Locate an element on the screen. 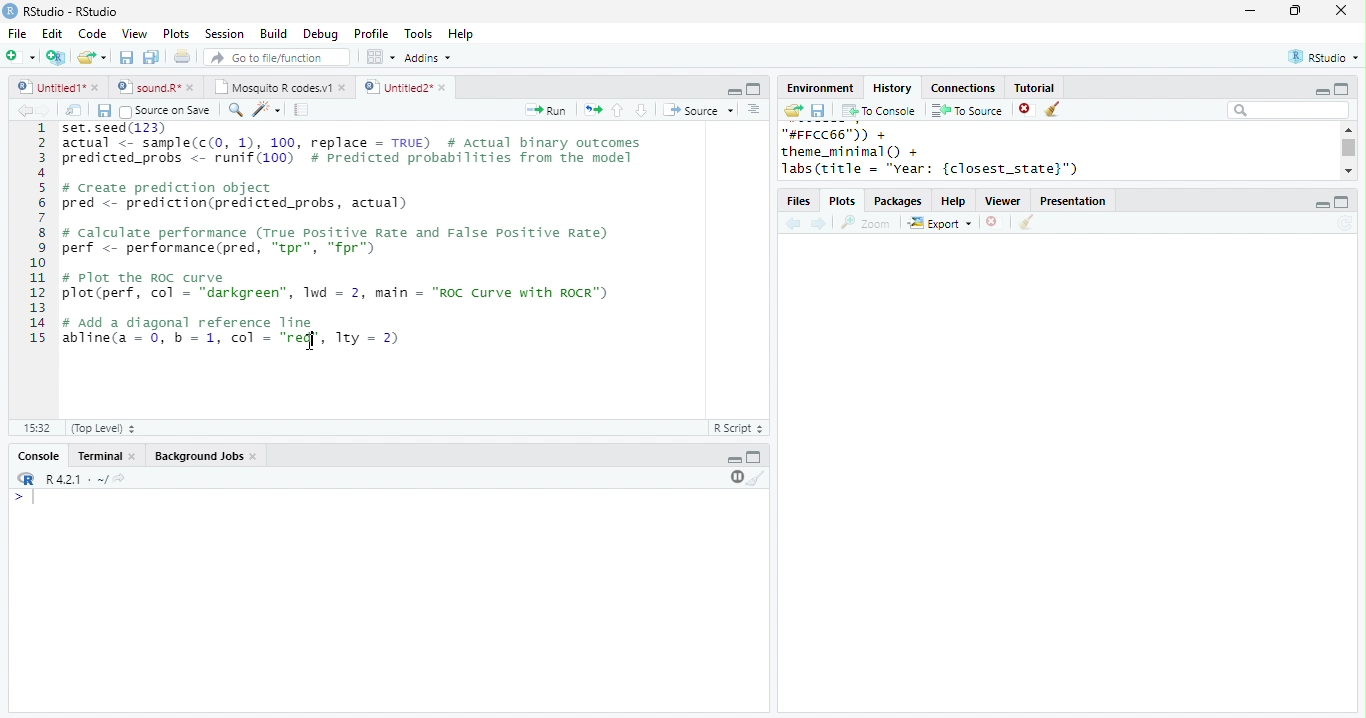  close file is located at coordinates (995, 223).